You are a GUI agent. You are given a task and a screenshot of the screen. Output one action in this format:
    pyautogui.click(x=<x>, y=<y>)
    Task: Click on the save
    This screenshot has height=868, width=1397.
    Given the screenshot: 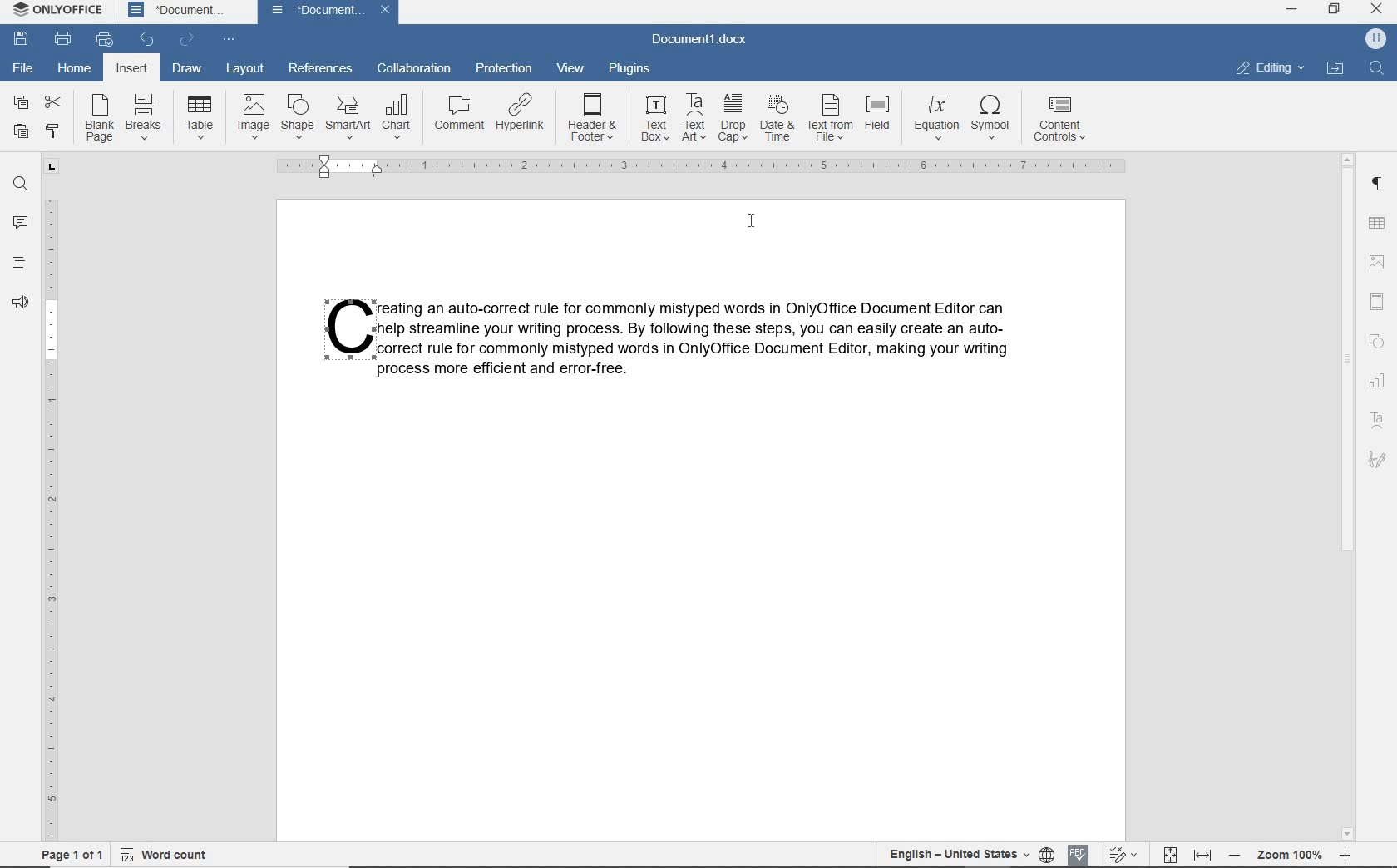 What is the action you would take?
    pyautogui.click(x=22, y=39)
    